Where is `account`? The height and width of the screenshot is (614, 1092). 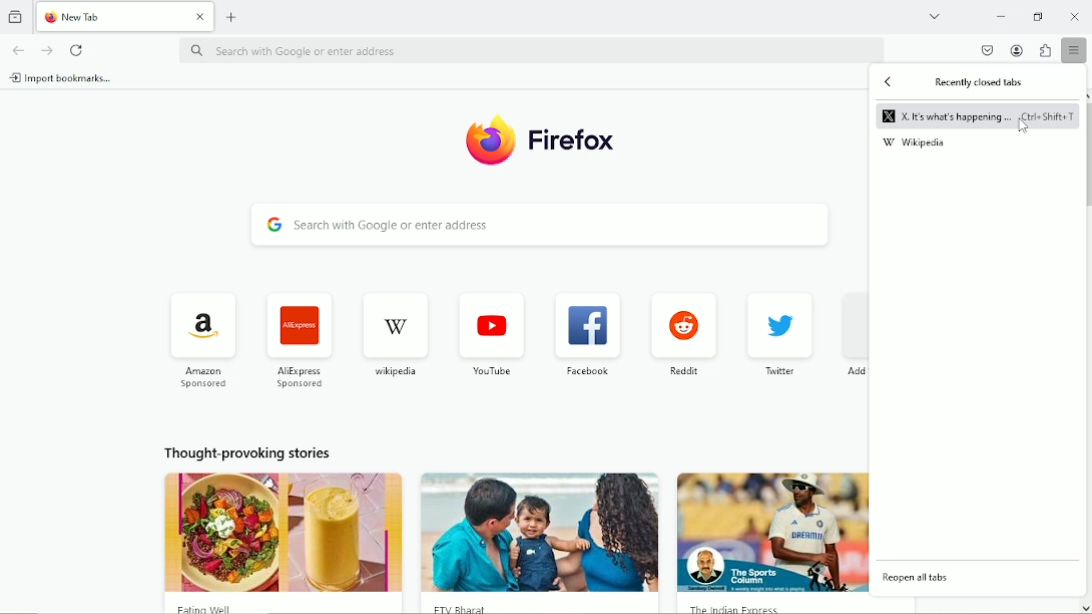 account is located at coordinates (1017, 51).